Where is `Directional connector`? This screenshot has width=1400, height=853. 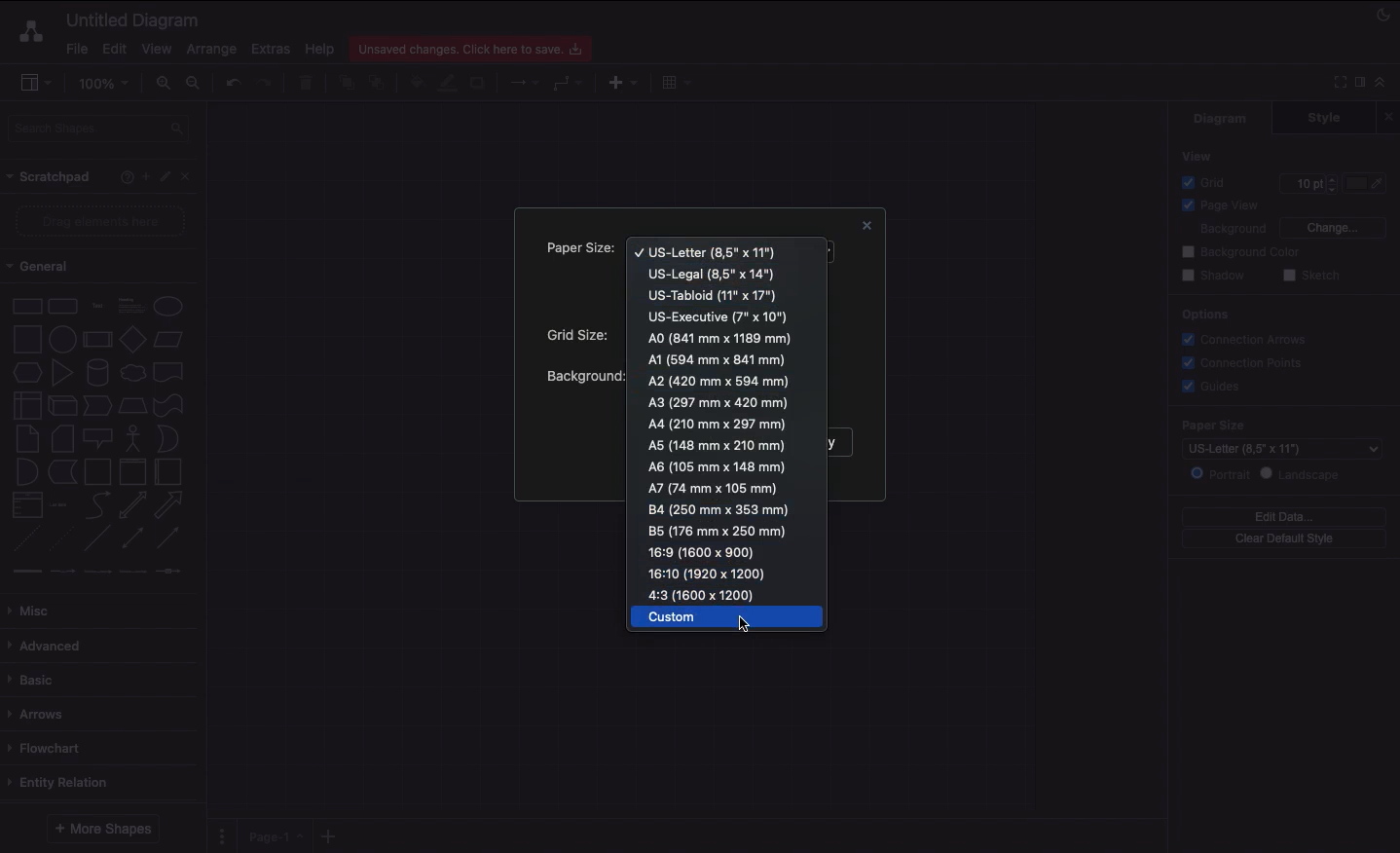
Directional connector is located at coordinates (171, 538).